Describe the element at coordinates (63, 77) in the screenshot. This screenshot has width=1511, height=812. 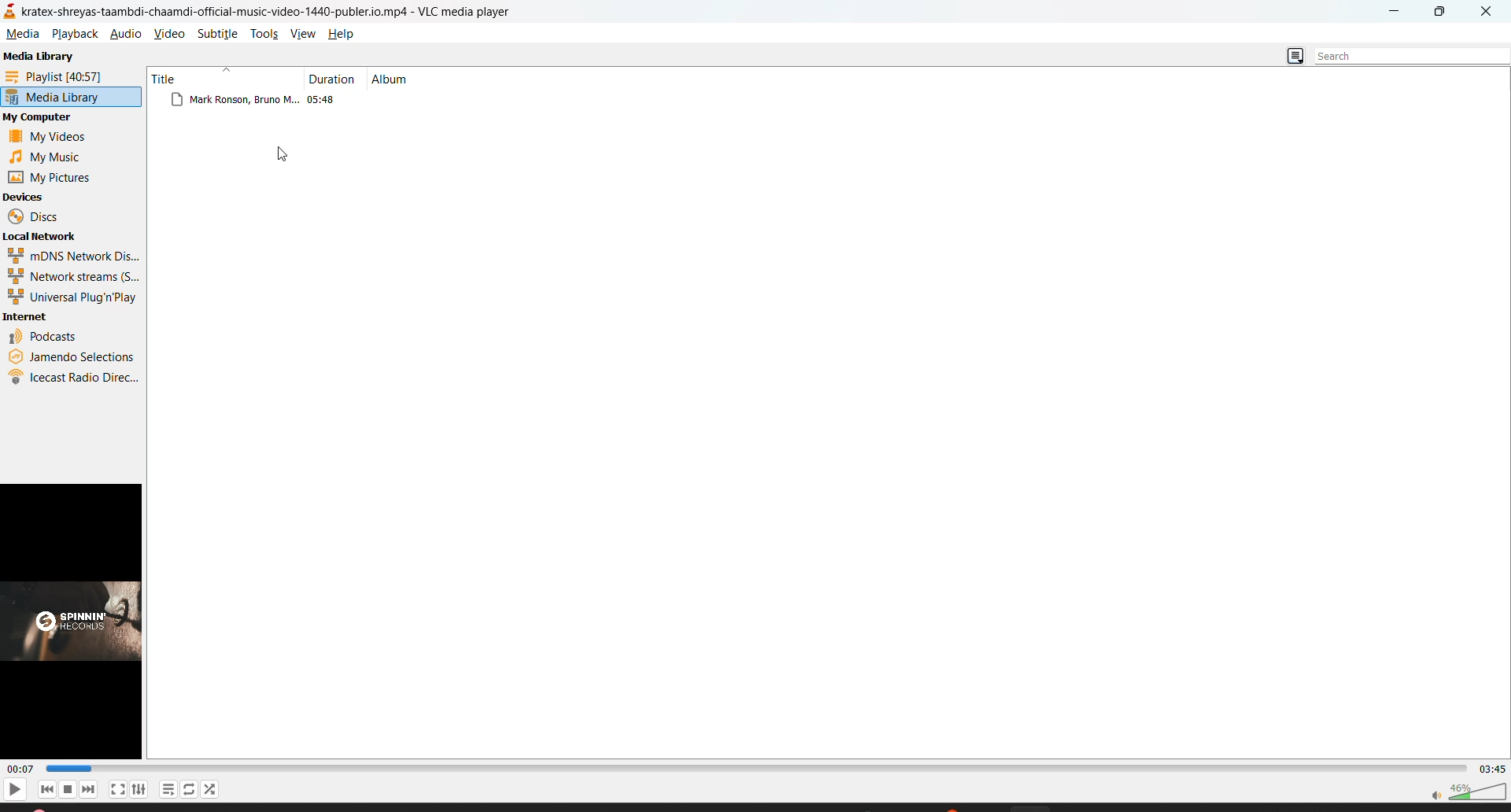
I see `playlist` at that location.